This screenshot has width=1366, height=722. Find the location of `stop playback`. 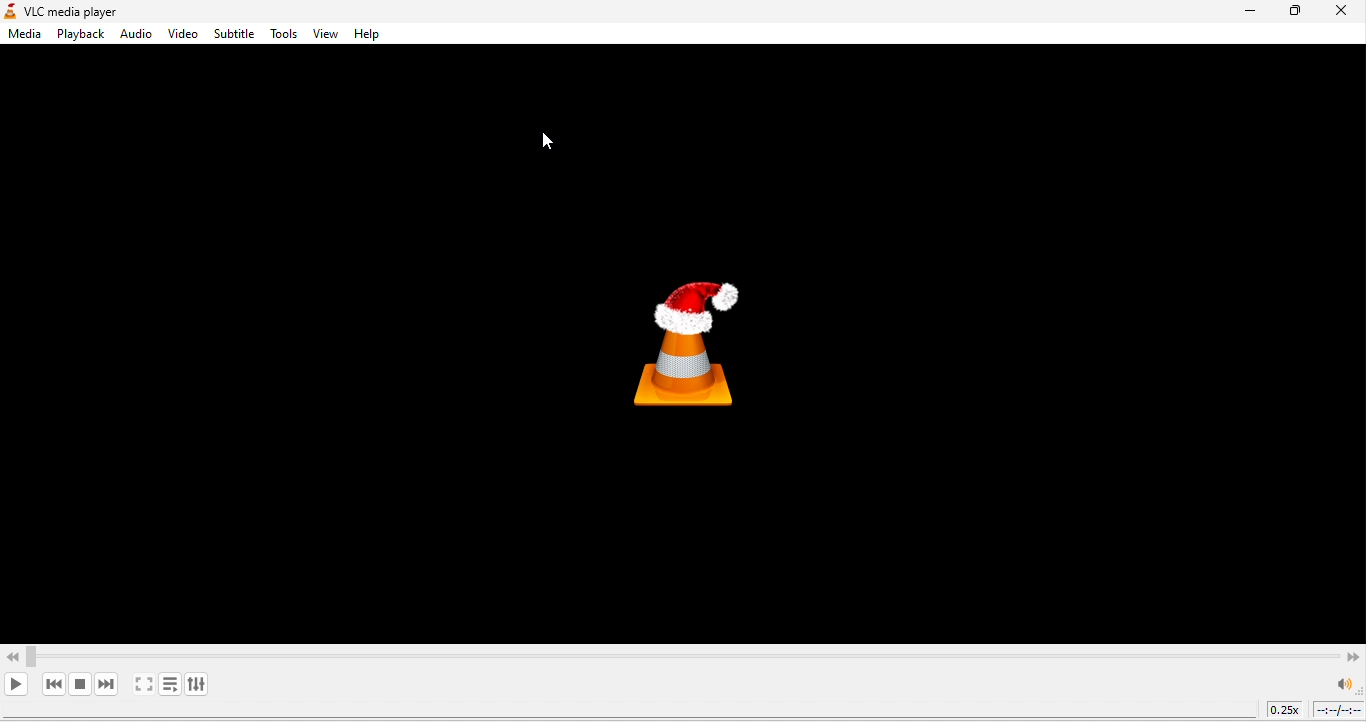

stop playback is located at coordinates (87, 680).